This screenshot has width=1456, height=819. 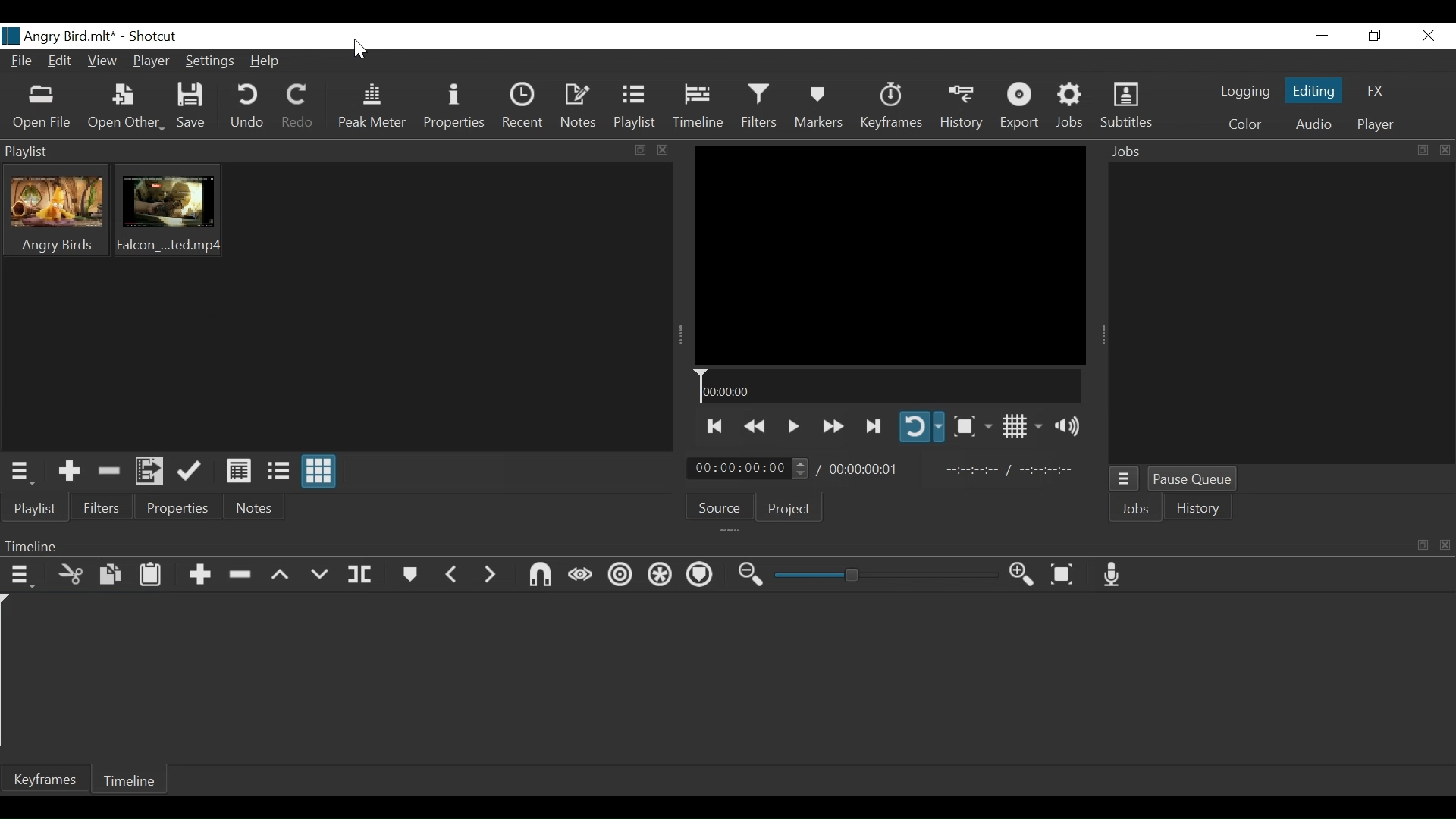 What do you see at coordinates (154, 36) in the screenshot?
I see `Shotcut` at bounding box center [154, 36].